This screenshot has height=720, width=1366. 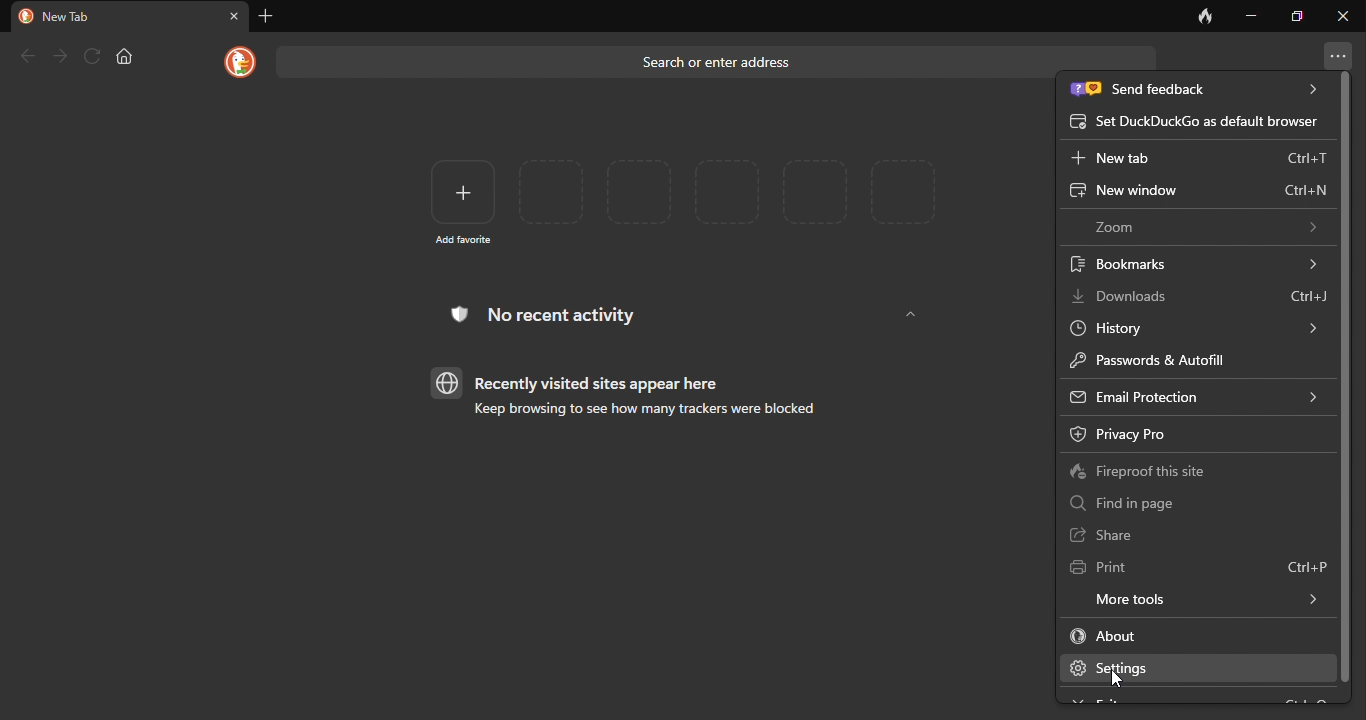 What do you see at coordinates (236, 62) in the screenshot?
I see `duckduck go logo` at bounding box center [236, 62].